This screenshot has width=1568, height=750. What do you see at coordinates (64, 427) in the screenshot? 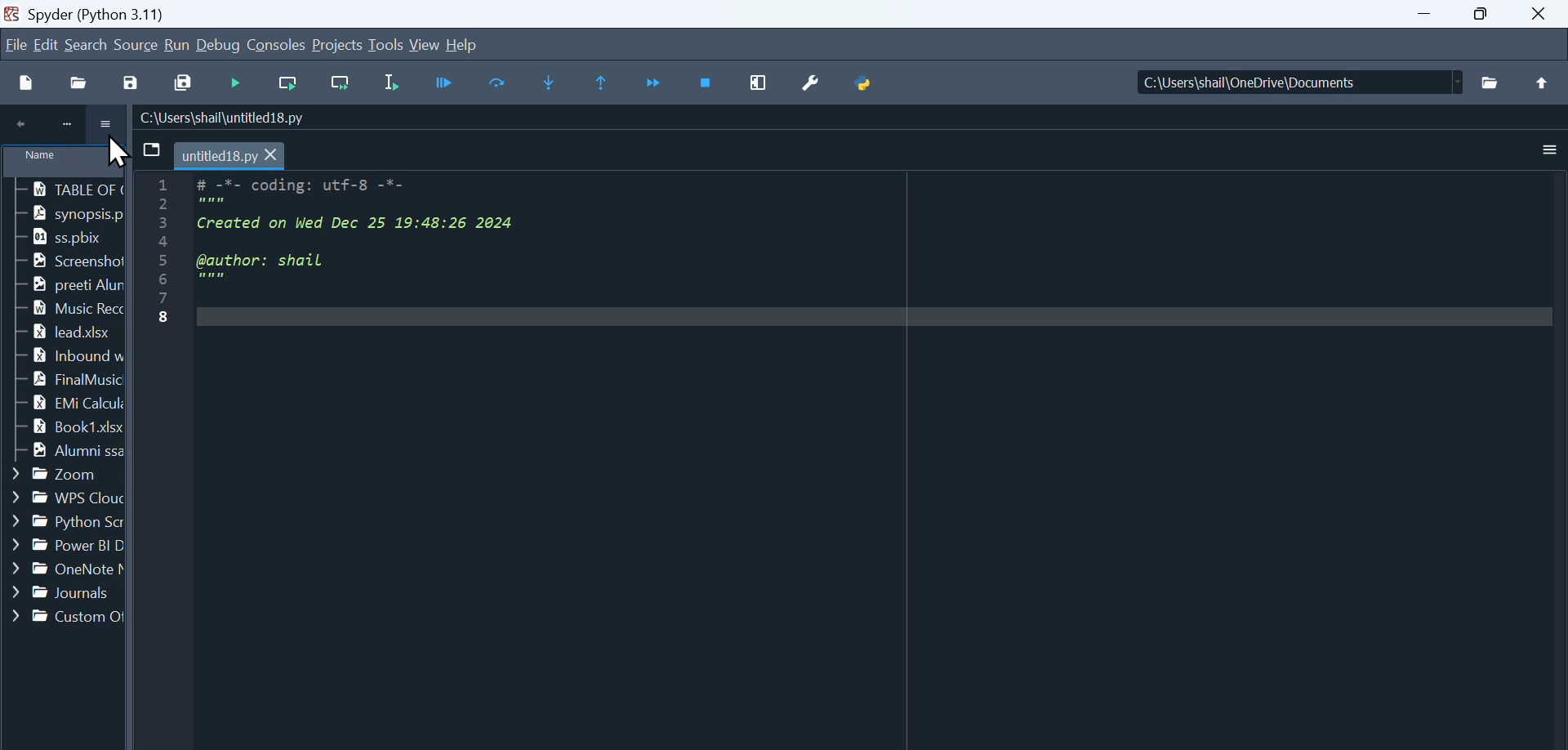
I see `Book1.xIsx..` at bounding box center [64, 427].